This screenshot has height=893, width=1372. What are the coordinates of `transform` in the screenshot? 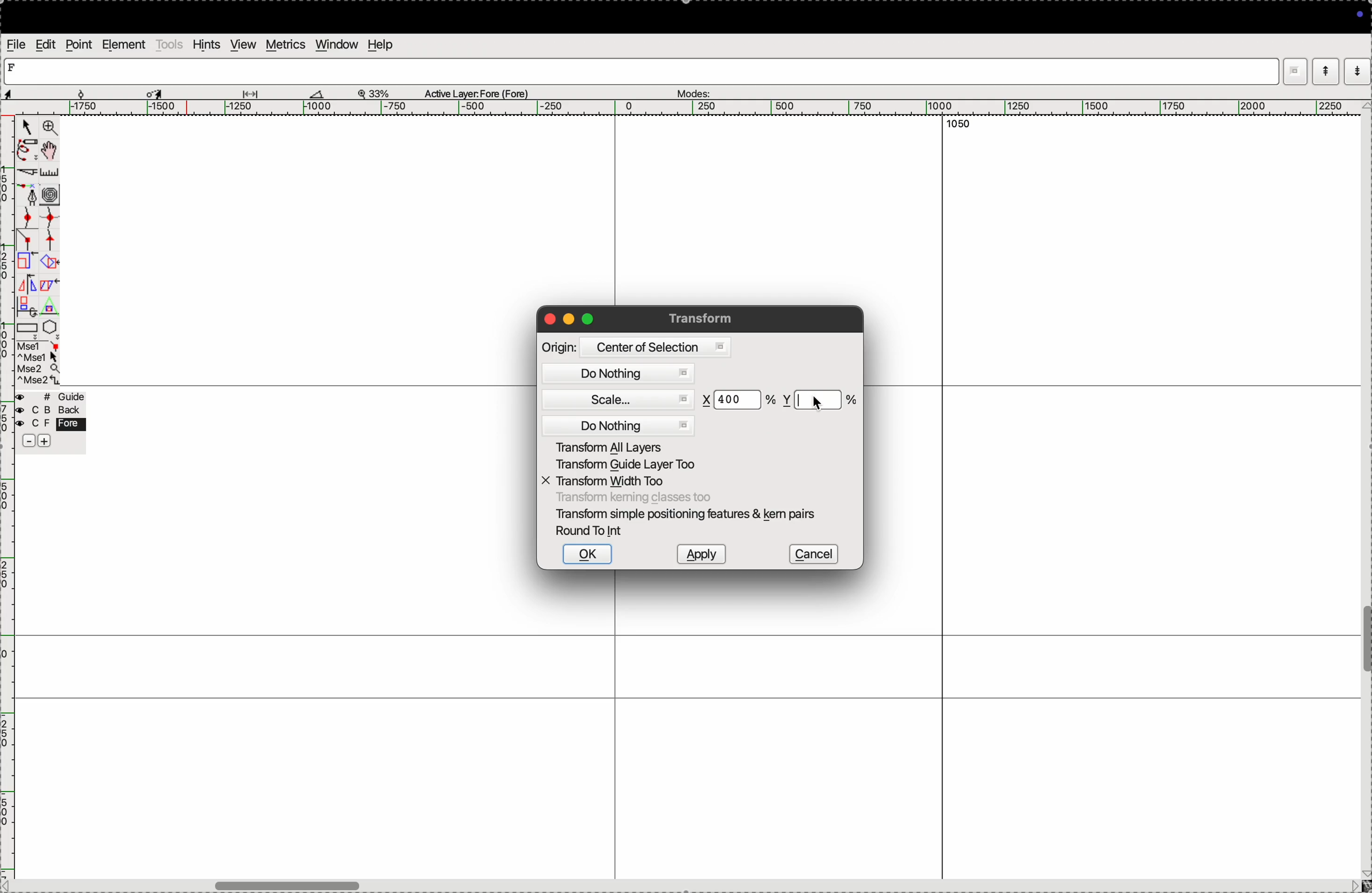 It's located at (704, 318).